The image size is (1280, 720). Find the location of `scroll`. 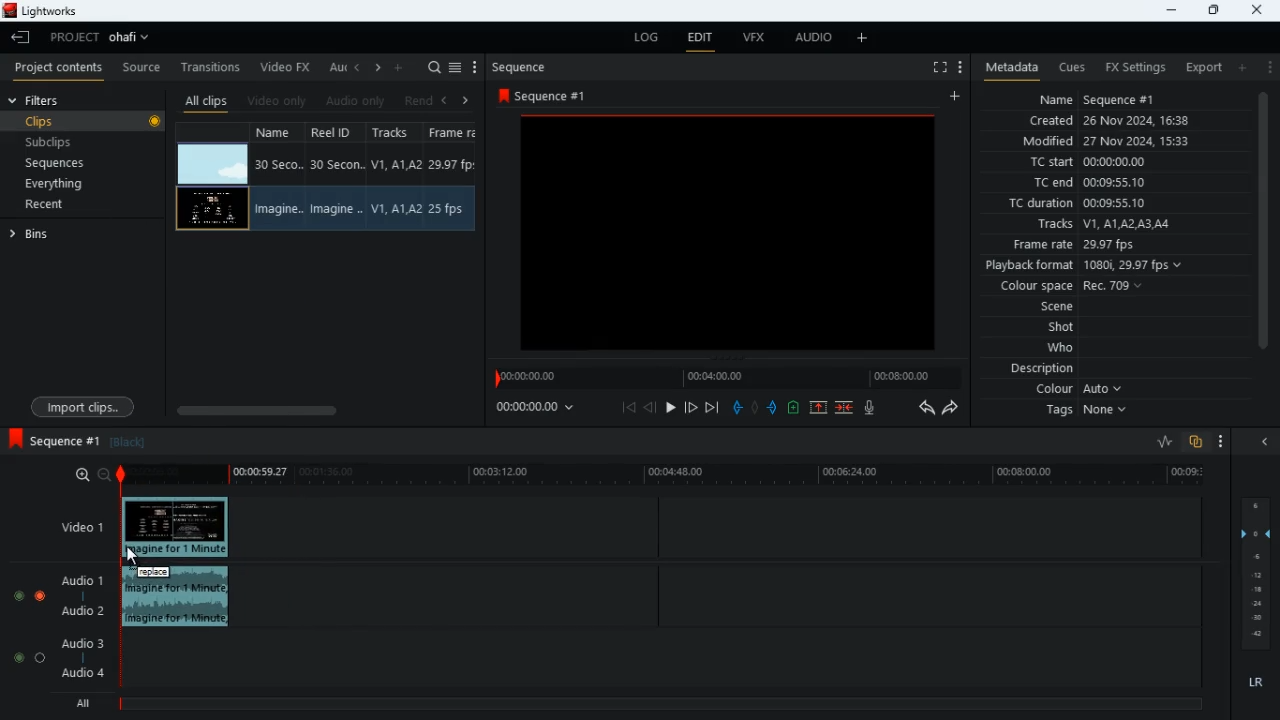

scroll is located at coordinates (1261, 234).